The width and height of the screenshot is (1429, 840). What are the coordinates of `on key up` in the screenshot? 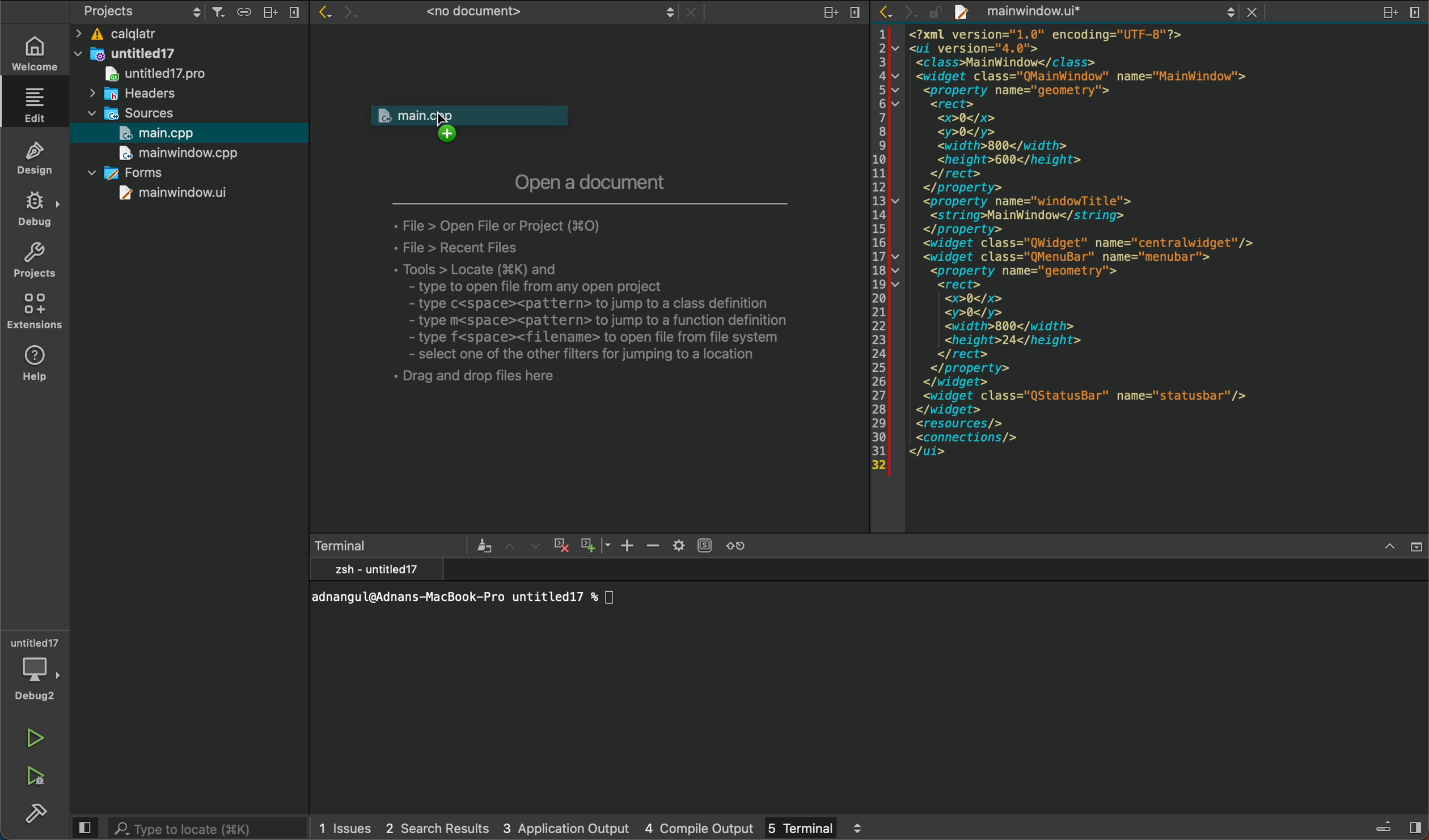 It's located at (486, 127).